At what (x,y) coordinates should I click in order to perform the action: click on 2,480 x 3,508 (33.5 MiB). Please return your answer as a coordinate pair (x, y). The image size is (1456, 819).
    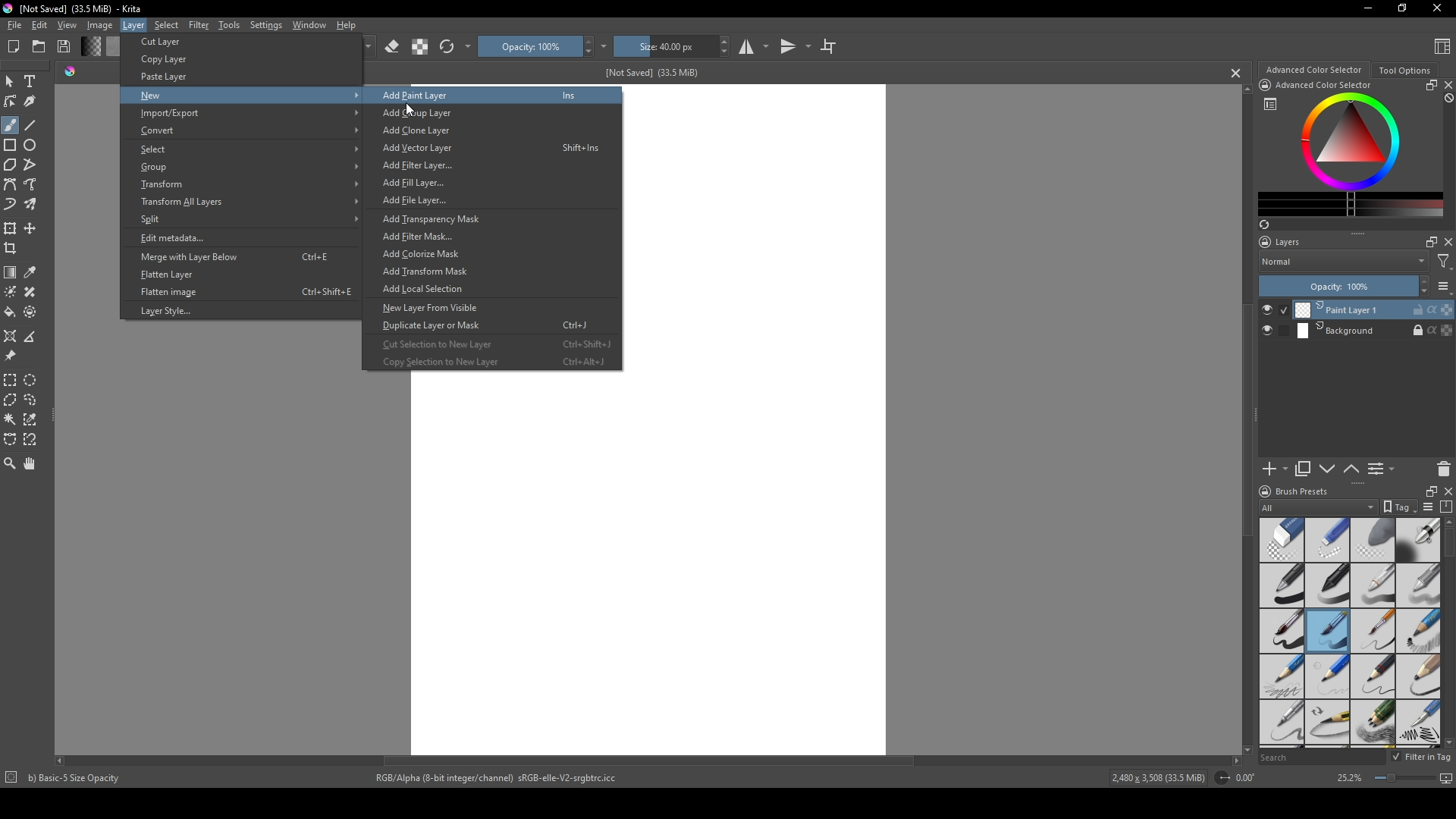
    Looking at the image, I should click on (1156, 780).